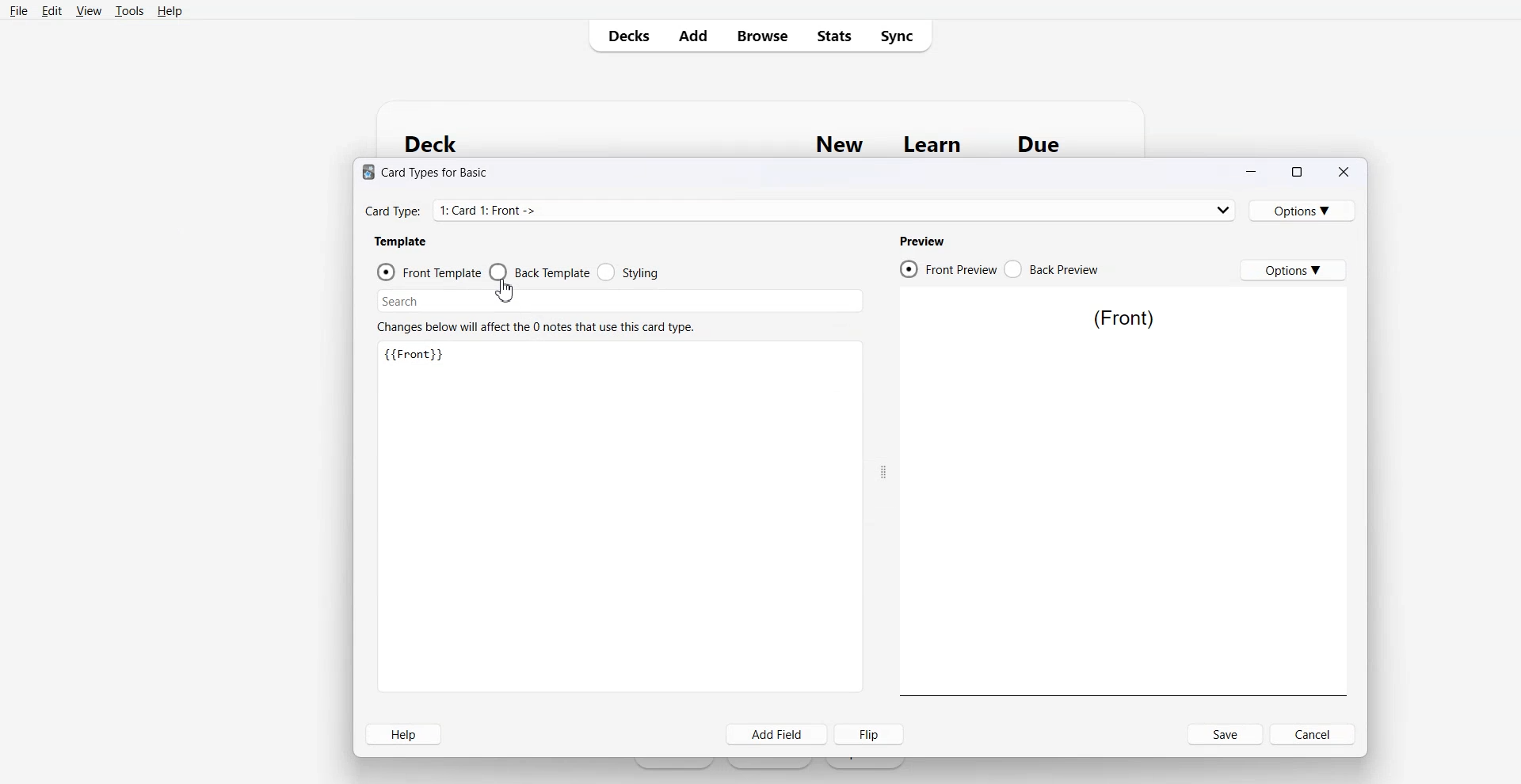 This screenshot has height=784, width=1521. Describe the element at coordinates (949, 268) in the screenshot. I see `Front Preview` at that location.